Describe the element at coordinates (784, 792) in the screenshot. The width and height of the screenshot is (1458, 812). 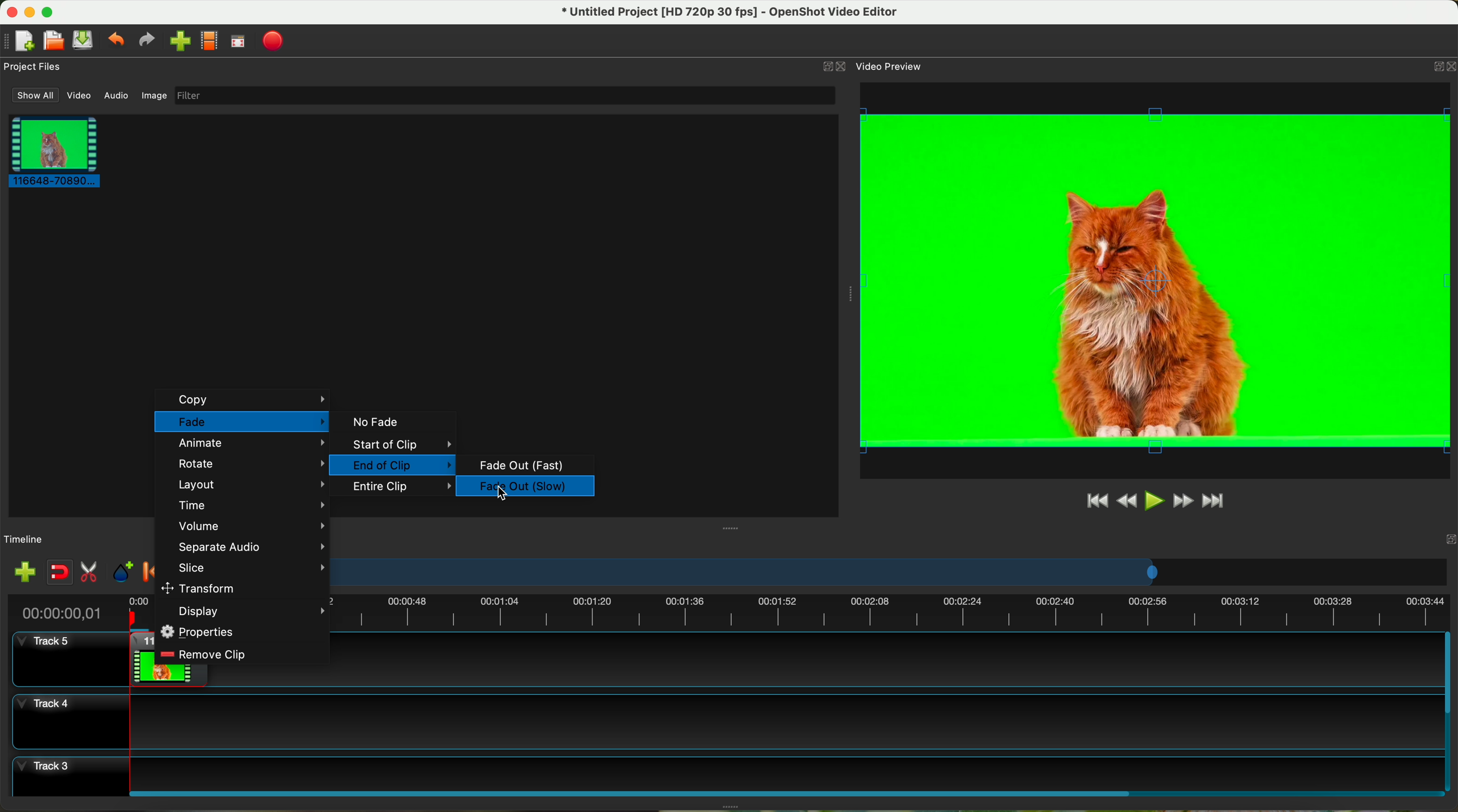
I see `scroll bar` at that location.